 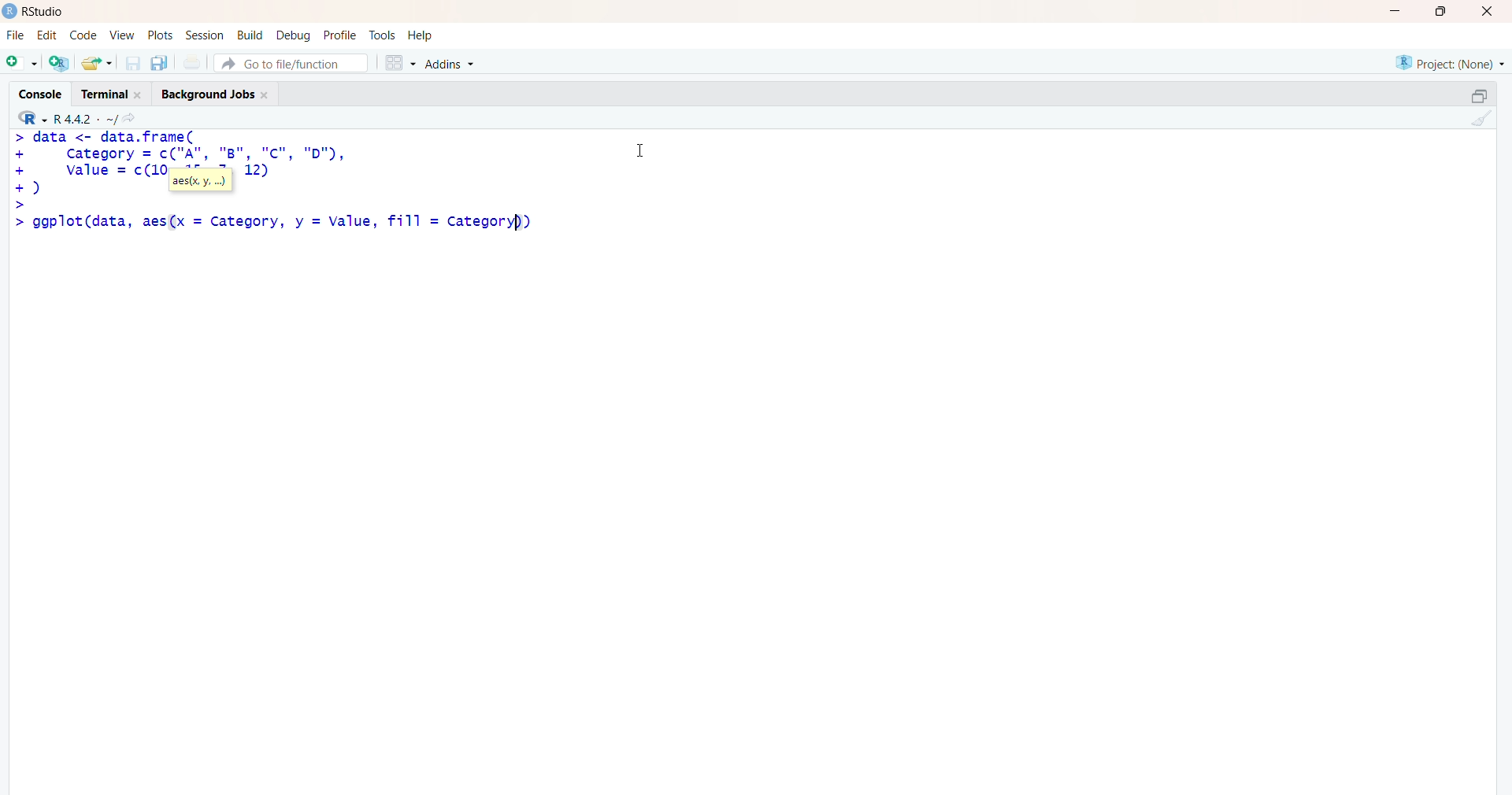 I want to click on Session, so click(x=205, y=35).